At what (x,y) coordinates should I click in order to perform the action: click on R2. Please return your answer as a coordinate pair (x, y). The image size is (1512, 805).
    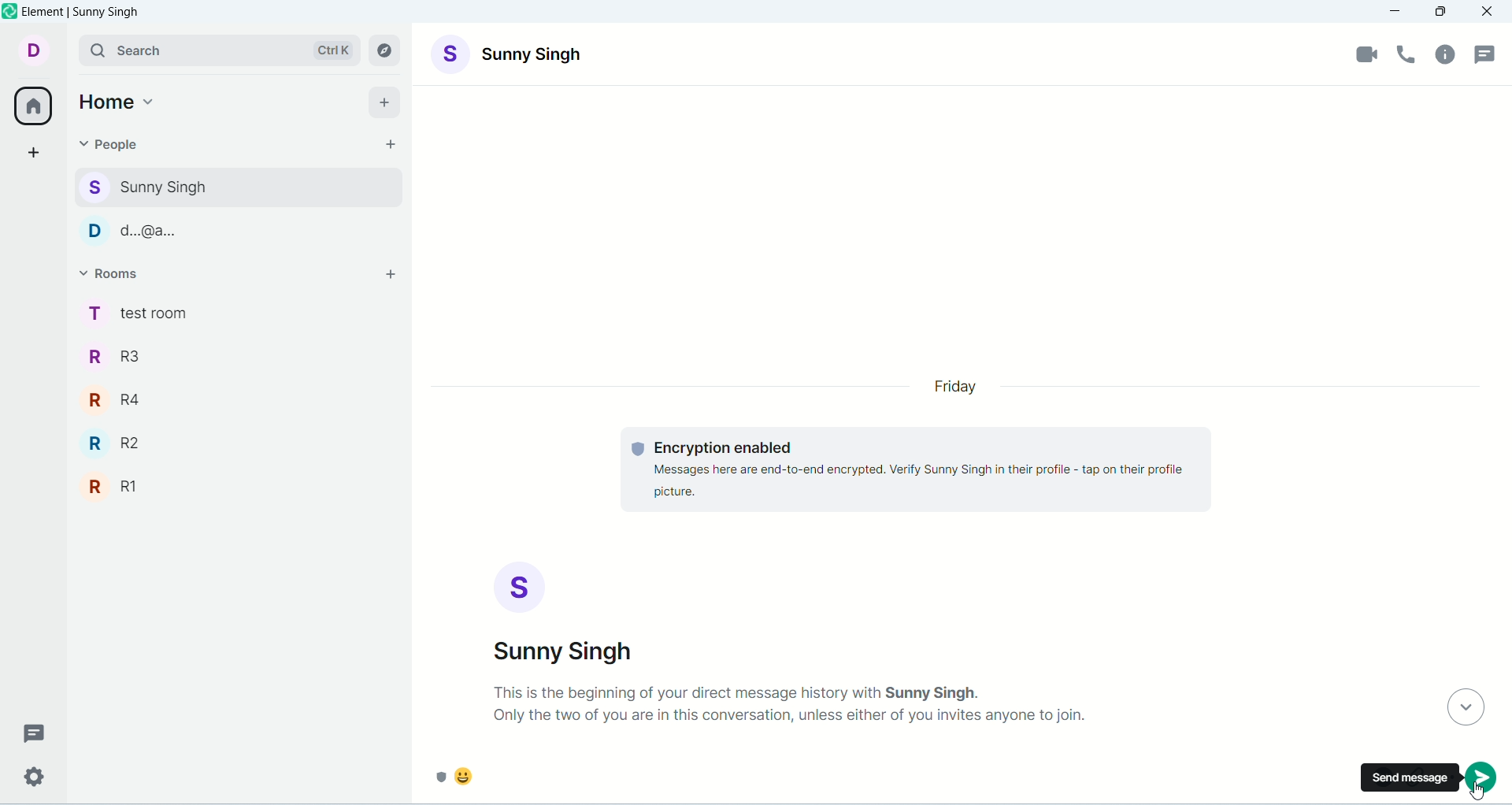
    Looking at the image, I should click on (239, 438).